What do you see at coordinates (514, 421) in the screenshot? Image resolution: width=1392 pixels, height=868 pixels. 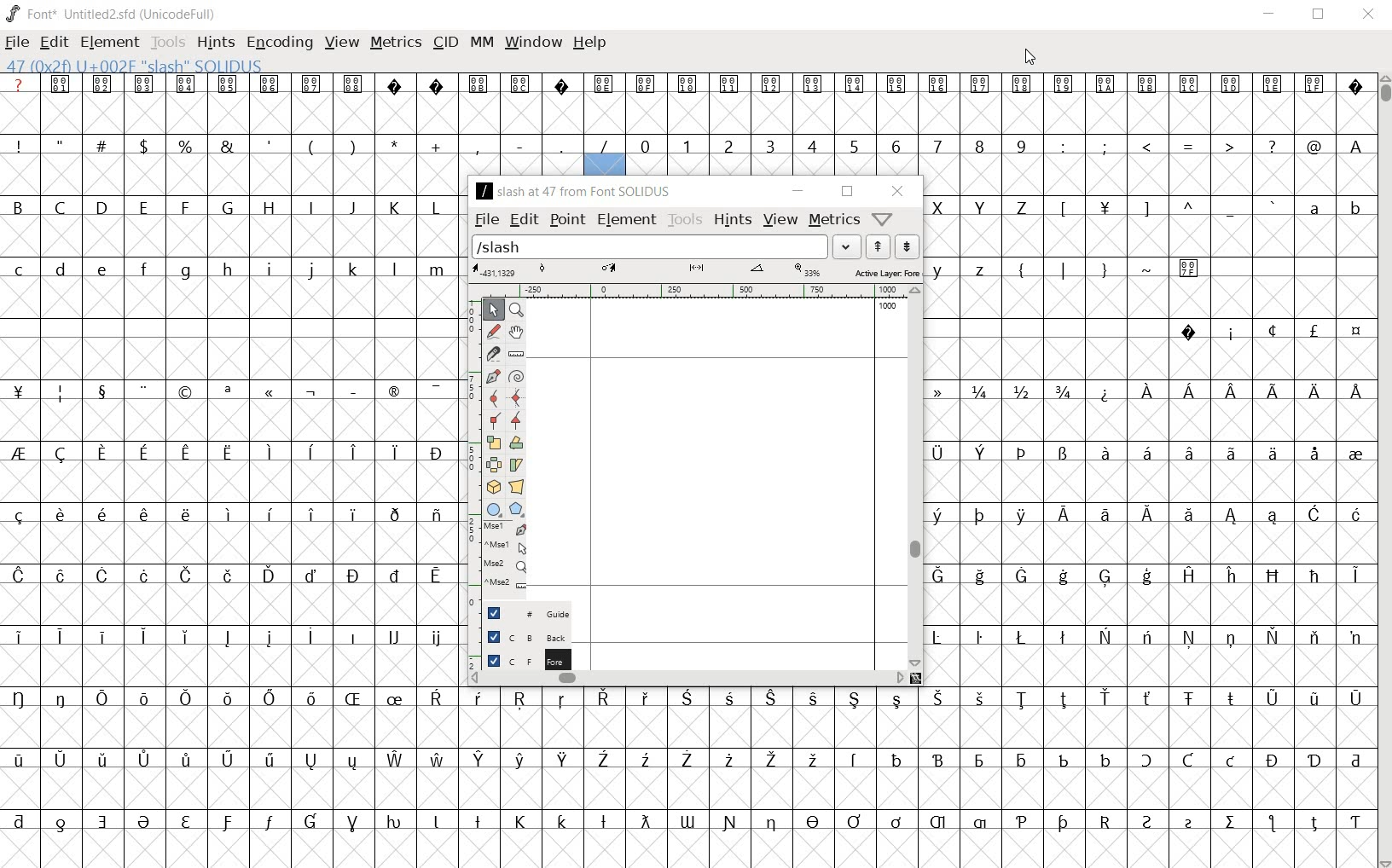 I see `Add a corner point` at bounding box center [514, 421].